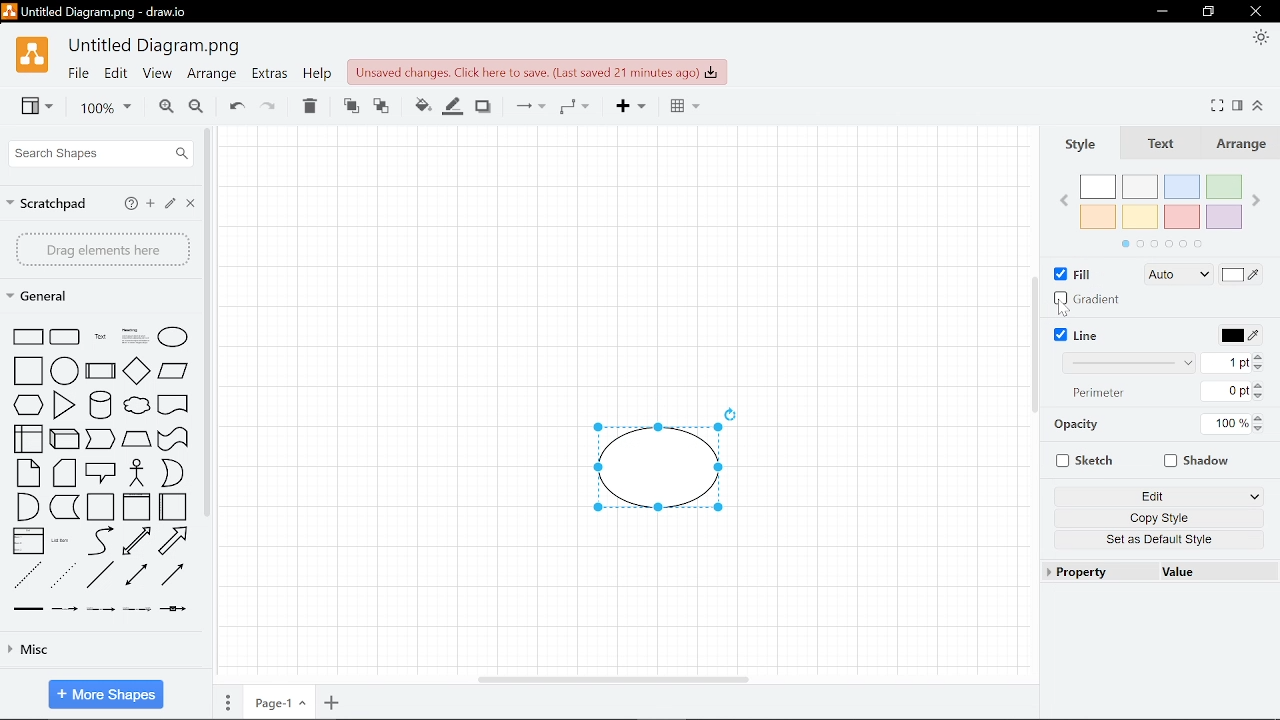  Describe the element at coordinates (102, 12) in the screenshot. I see `Window name - Untitled Diagram.png - draw.io` at that location.